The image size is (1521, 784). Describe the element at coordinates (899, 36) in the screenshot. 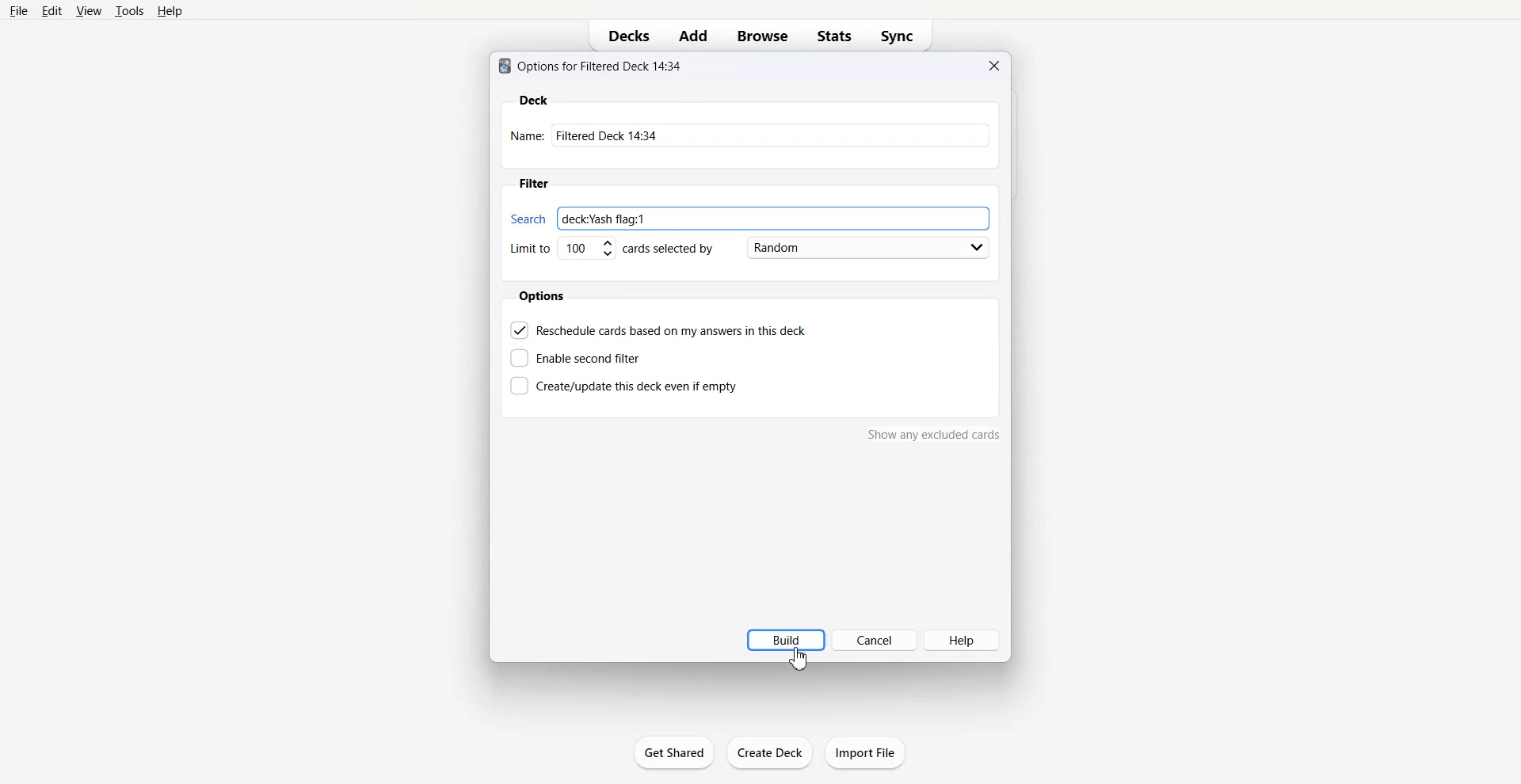

I see `Sync` at that location.